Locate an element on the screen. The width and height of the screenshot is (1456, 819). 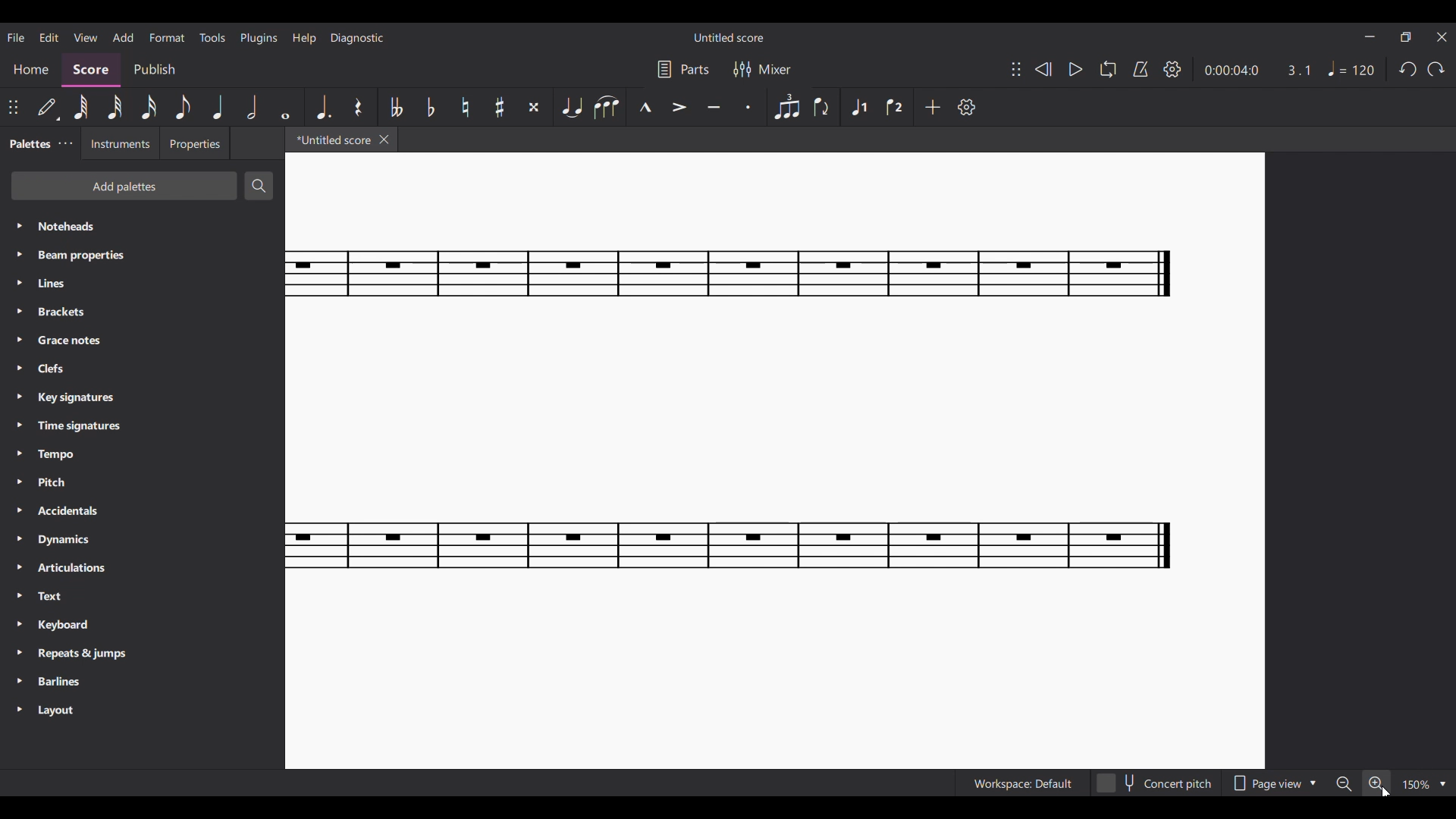
Grace notes is located at coordinates (143, 340).